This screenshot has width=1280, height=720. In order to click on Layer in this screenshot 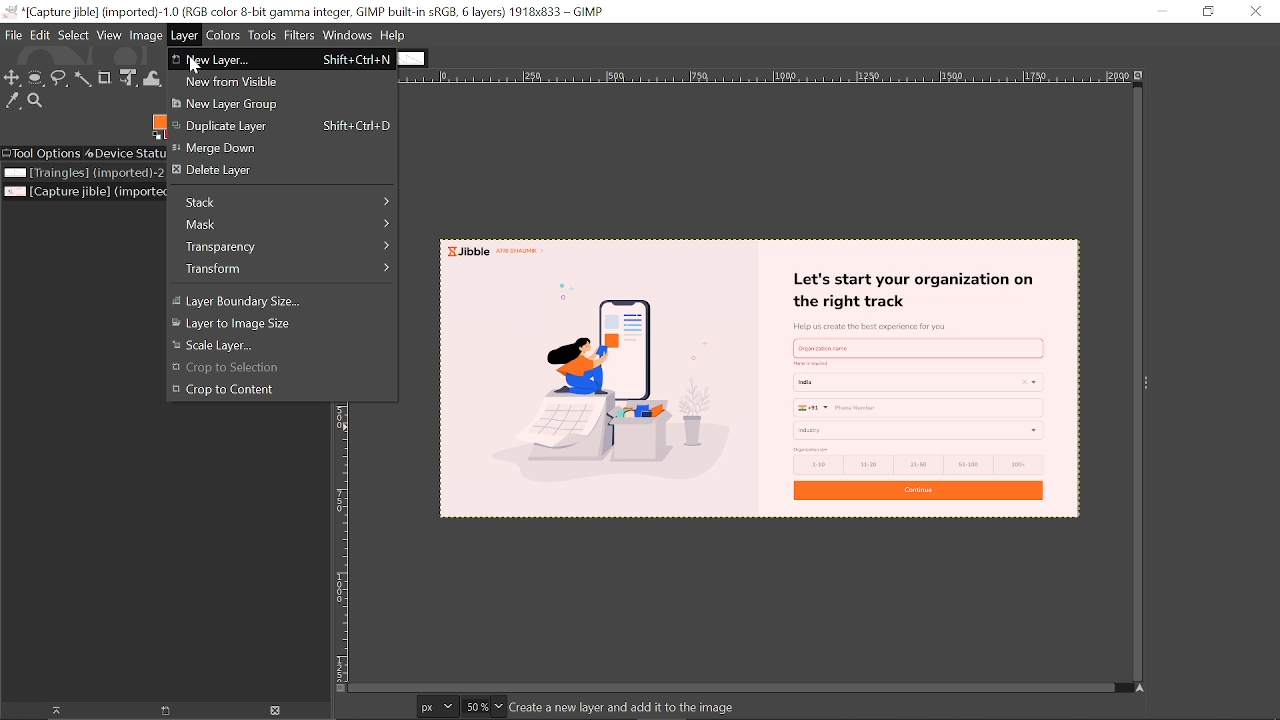, I will do `click(185, 35)`.